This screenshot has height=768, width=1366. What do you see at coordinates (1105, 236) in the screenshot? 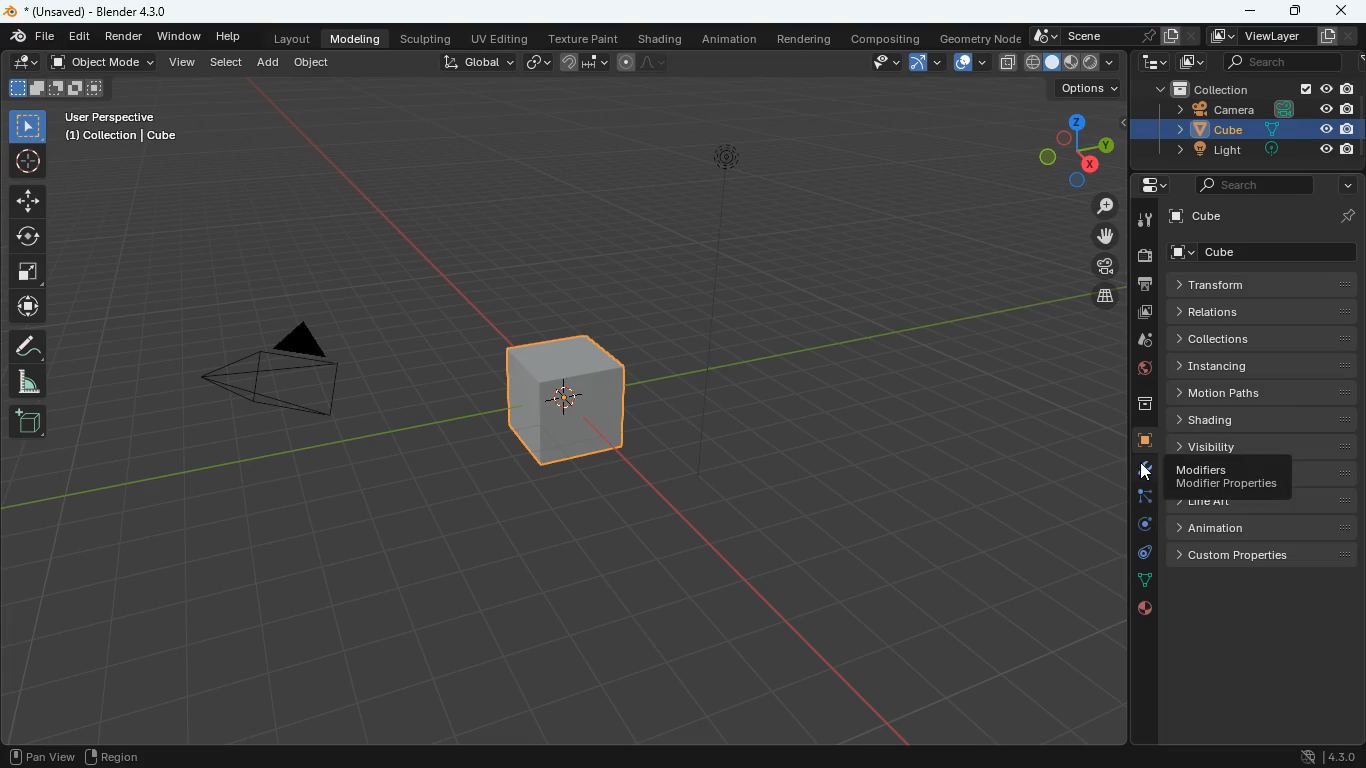
I see `move` at bounding box center [1105, 236].